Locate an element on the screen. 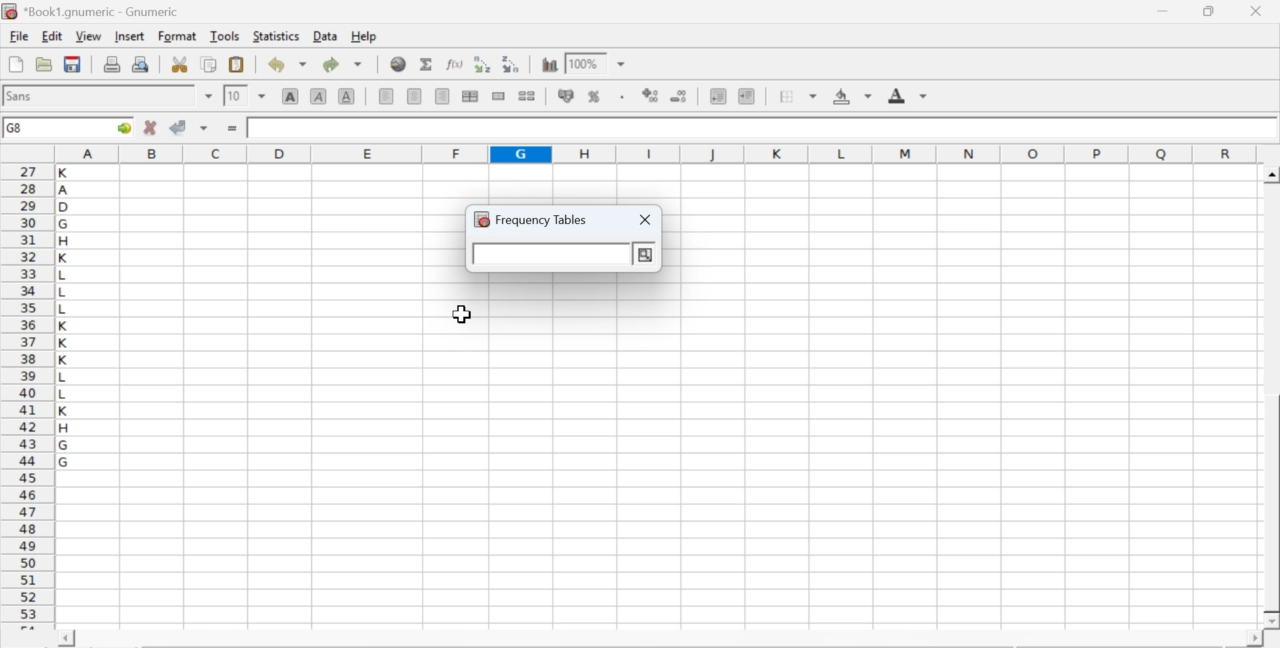 This screenshot has width=1280, height=648. G8 is located at coordinates (17, 128).